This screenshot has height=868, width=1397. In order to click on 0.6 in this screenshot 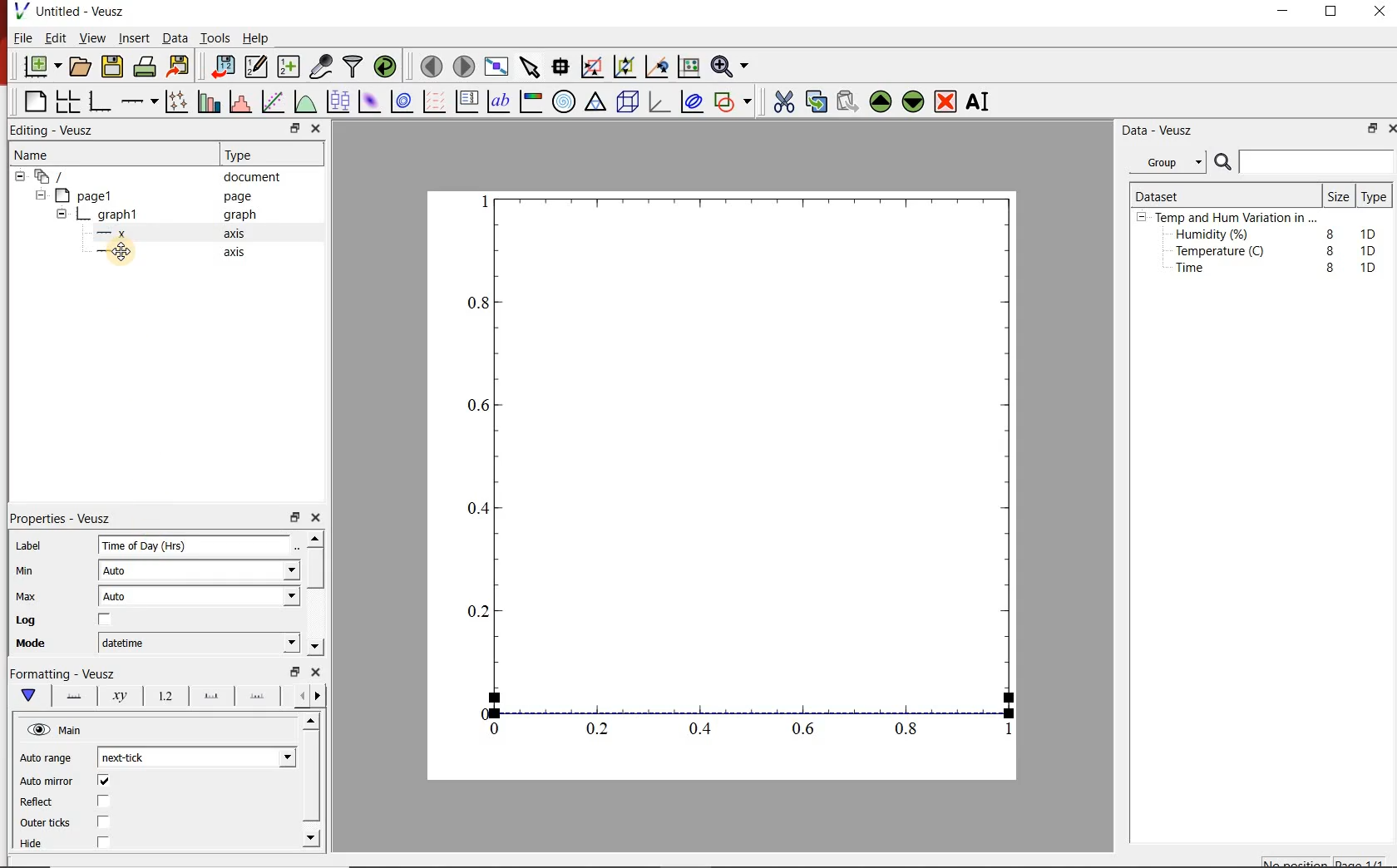, I will do `click(804, 728)`.